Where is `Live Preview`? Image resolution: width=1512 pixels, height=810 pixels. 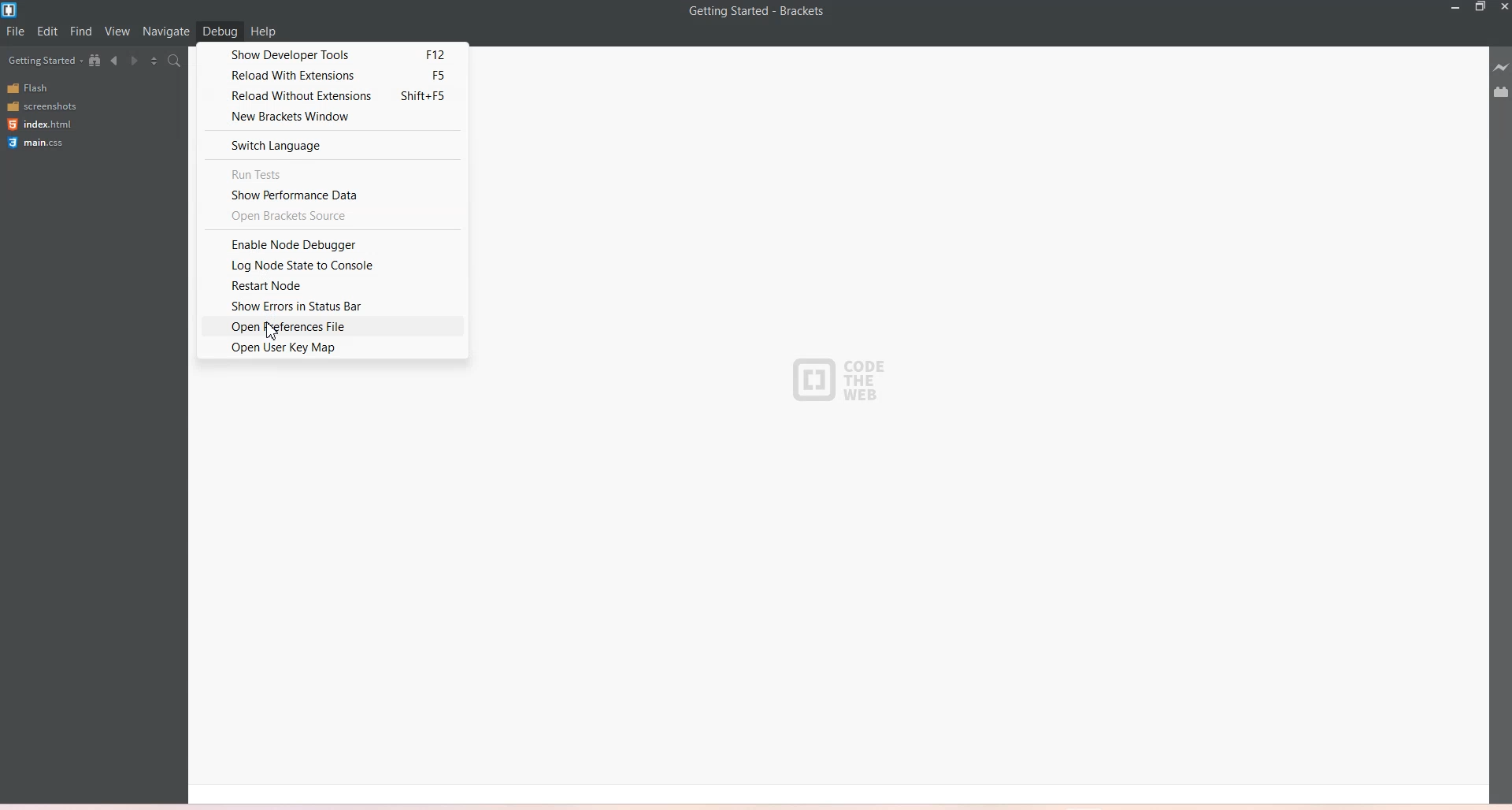
Live Preview is located at coordinates (1499, 68).